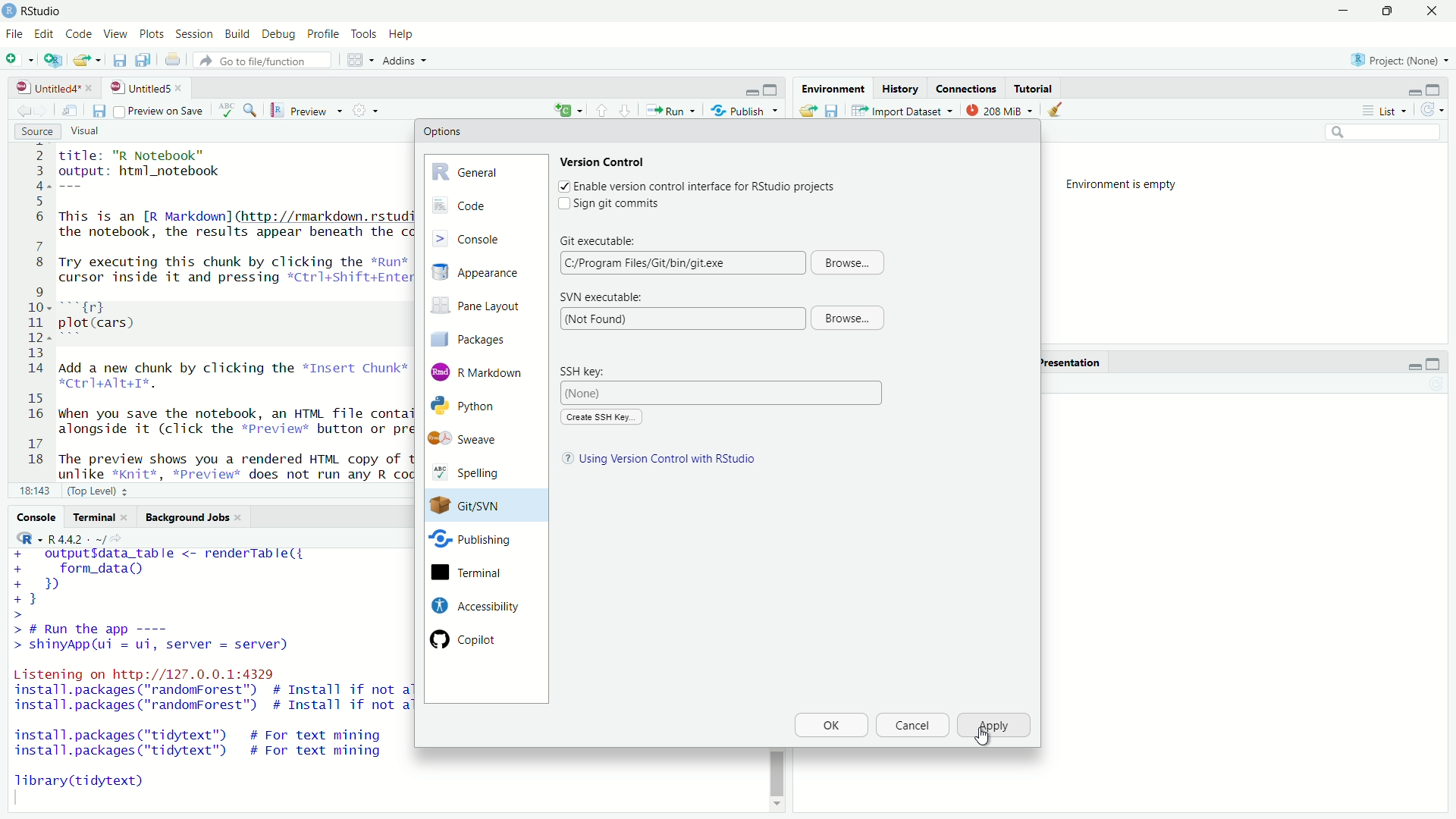 The width and height of the screenshot is (1456, 819). I want to click on C Add menu, so click(568, 108).